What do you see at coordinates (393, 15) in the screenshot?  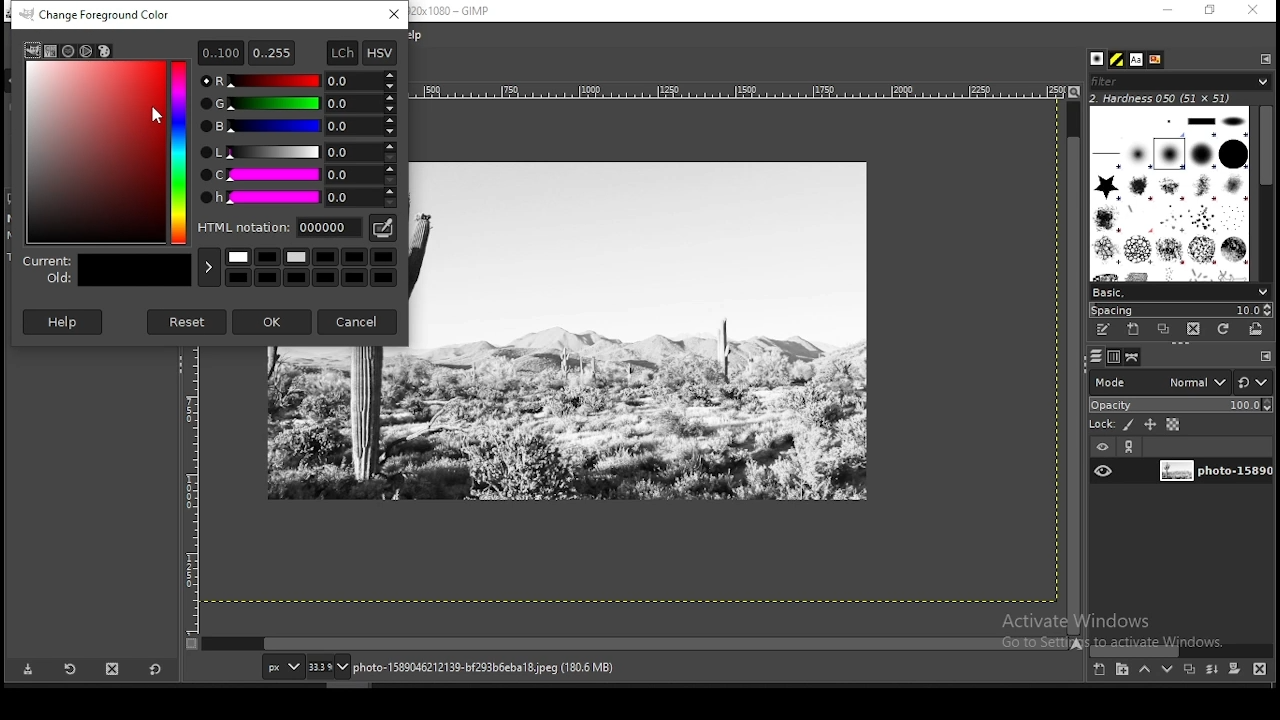 I see `close window` at bounding box center [393, 15].